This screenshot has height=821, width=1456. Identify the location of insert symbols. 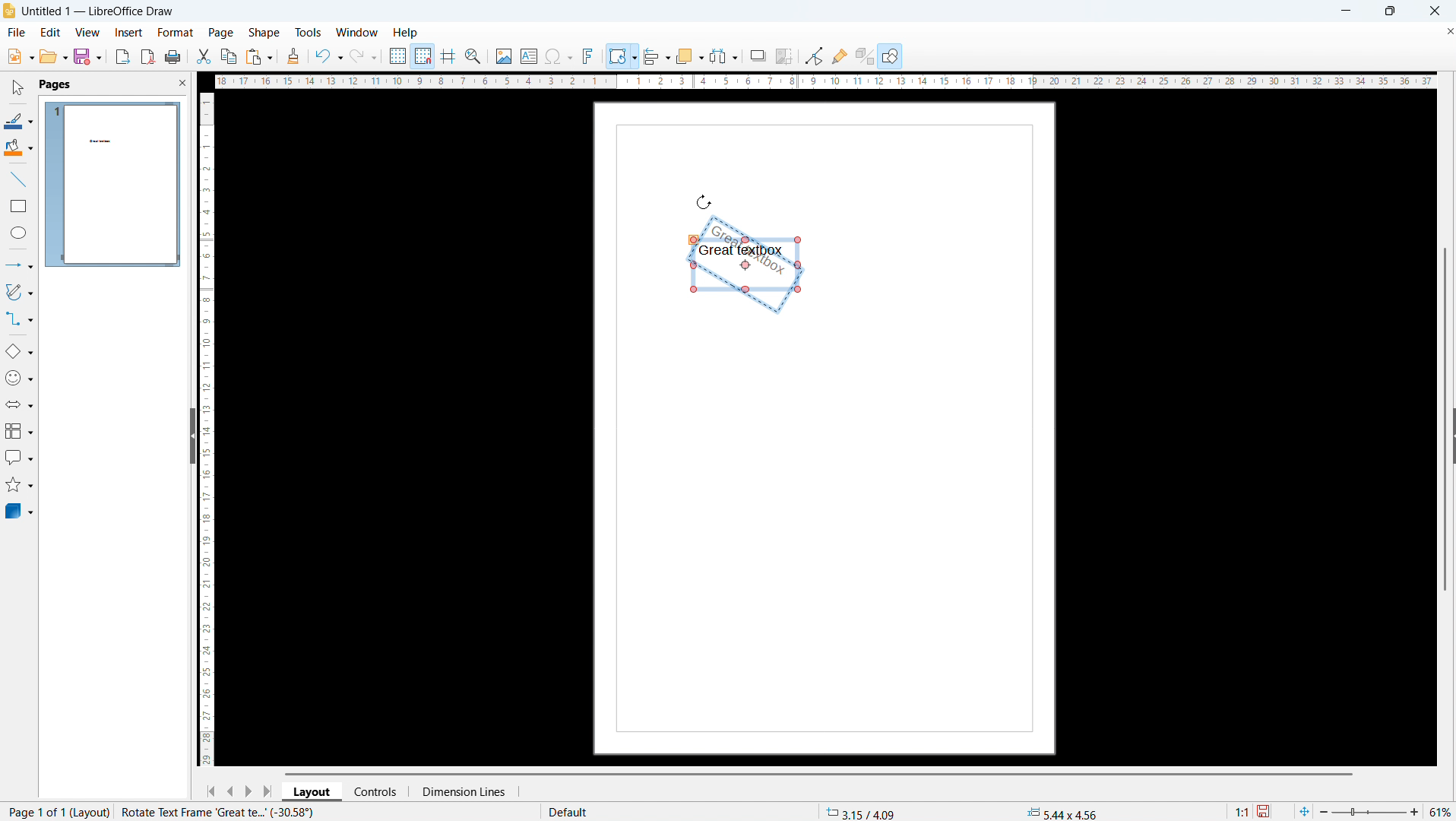
(559, 56).